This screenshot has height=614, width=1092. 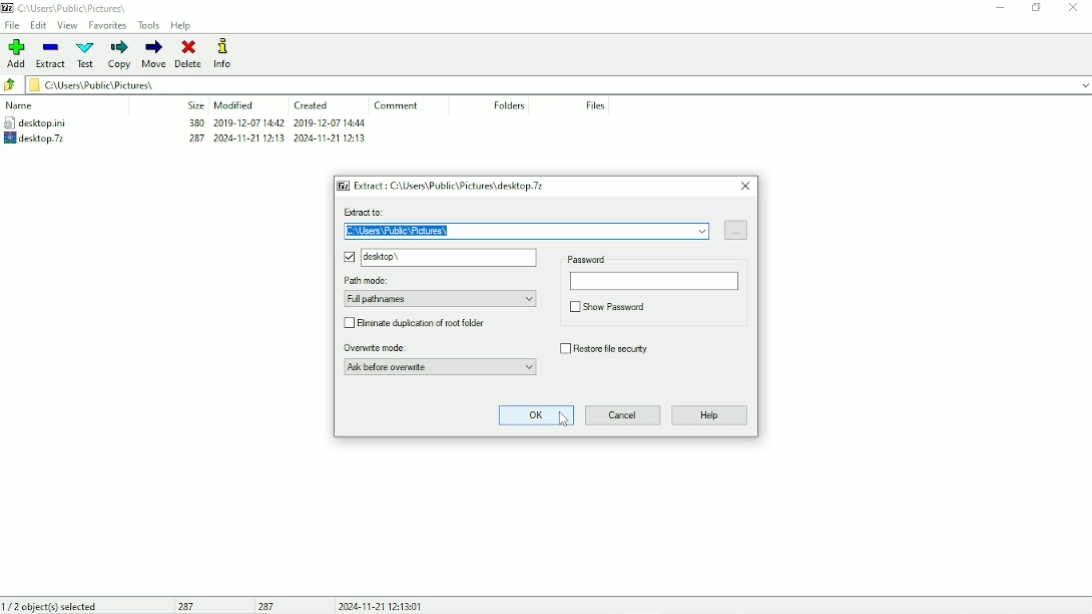 What do you see at coordinates (439, 367) in the screenshot?
I see ` Ask before overnite` at bounding box center [439, 367].